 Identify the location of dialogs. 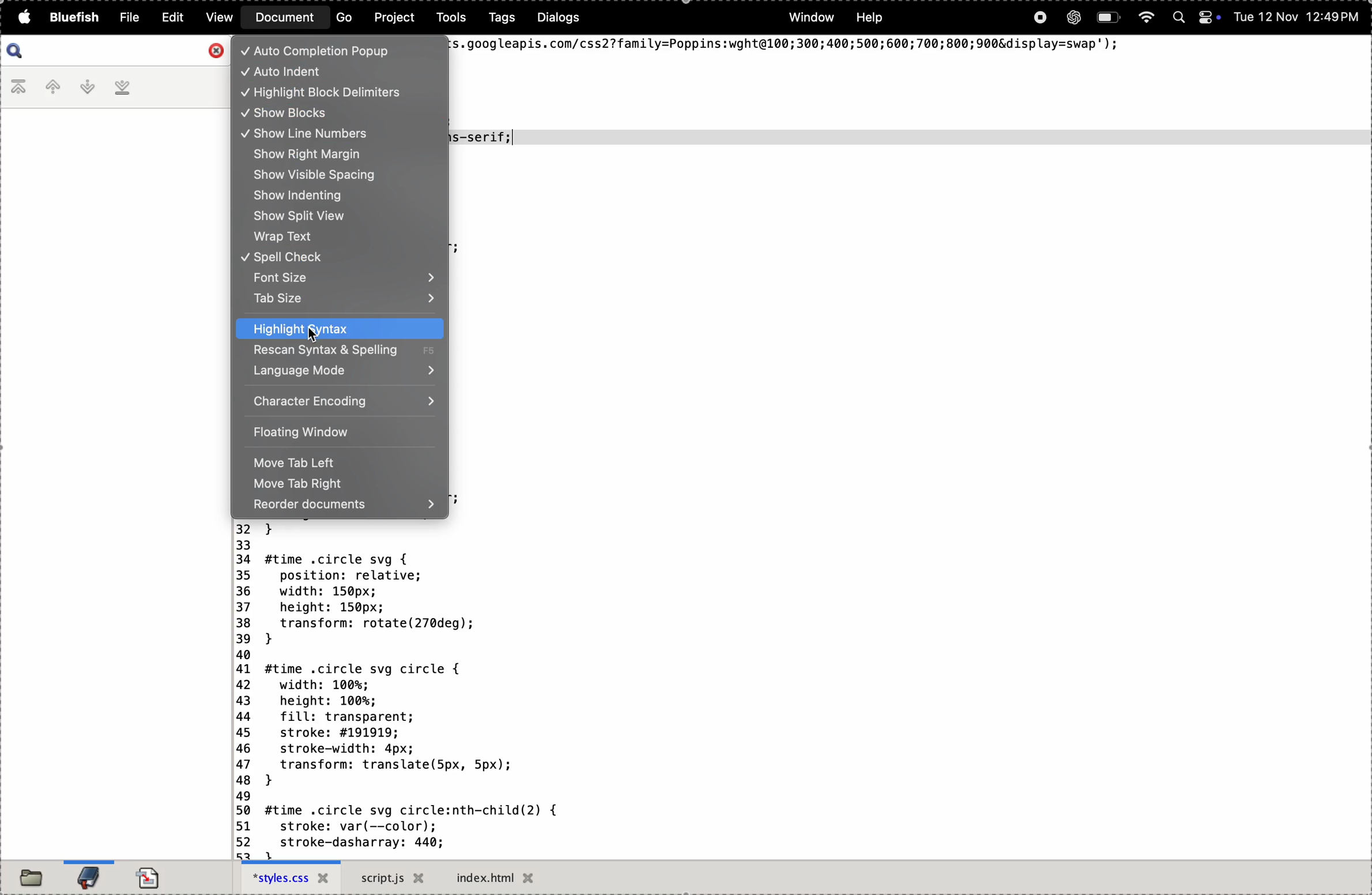
(560, 18).